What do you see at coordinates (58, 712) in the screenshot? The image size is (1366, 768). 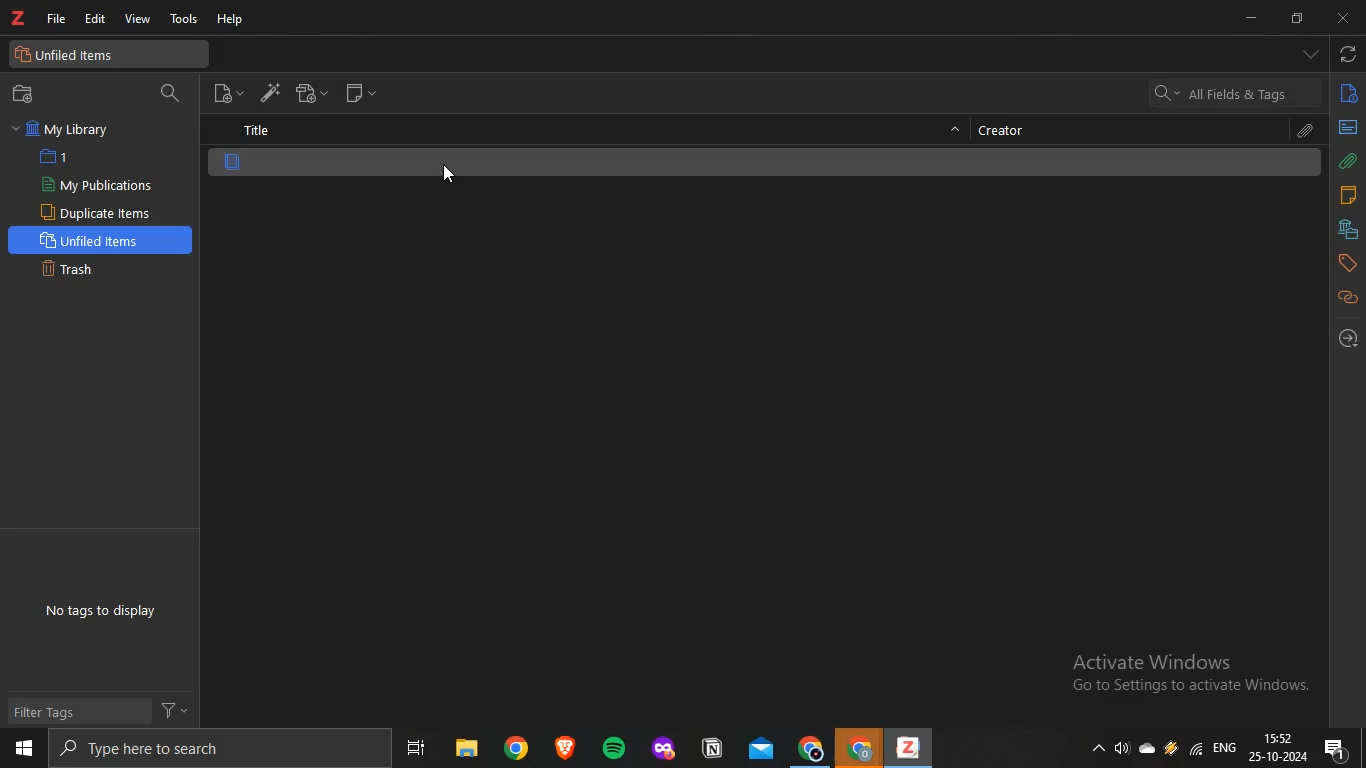 I see `Filter Tags` at bounding box center [58, 712].